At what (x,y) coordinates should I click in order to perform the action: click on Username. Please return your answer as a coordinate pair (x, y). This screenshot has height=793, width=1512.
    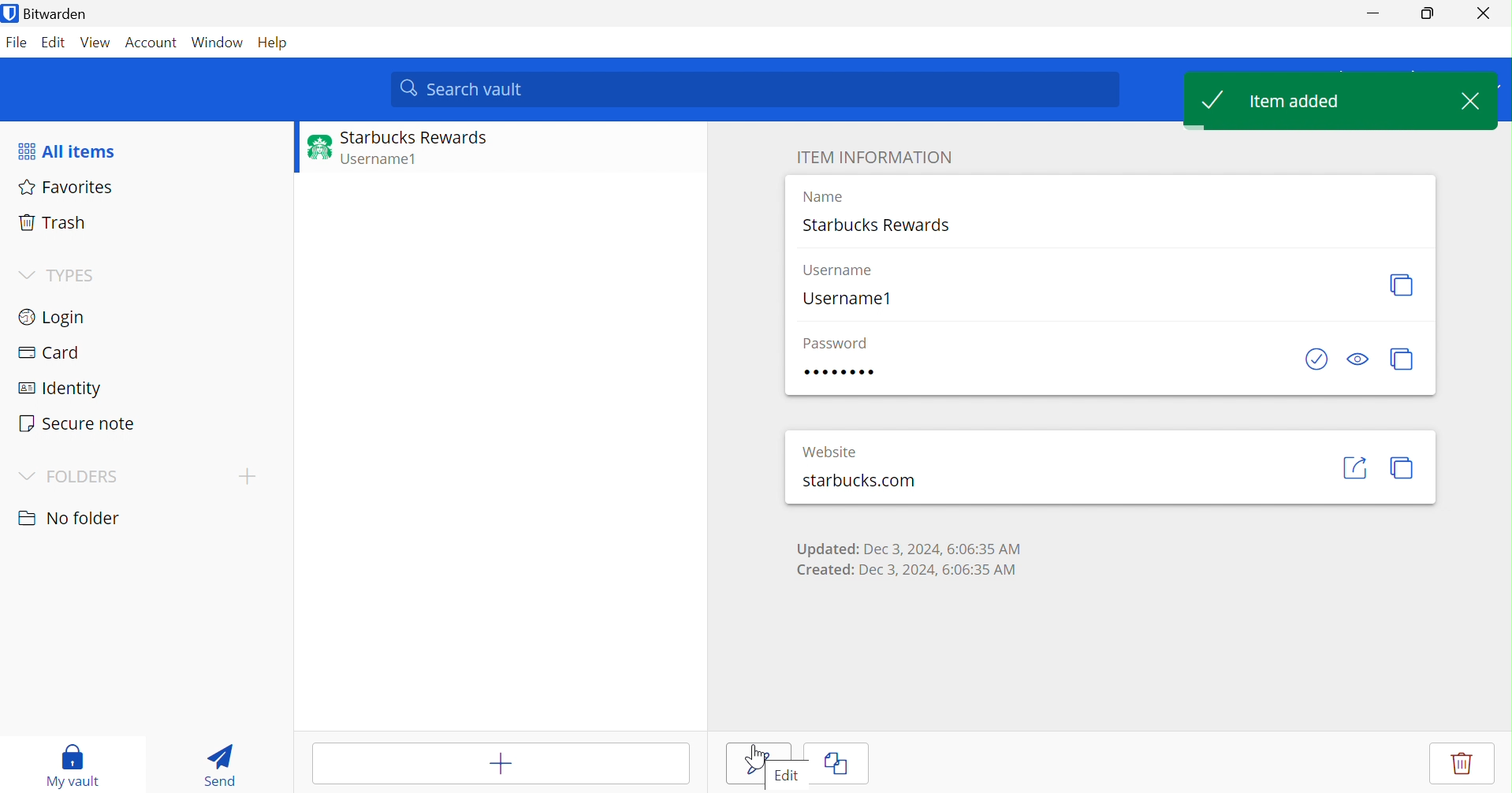
    Looking at the image, I should click on (842, 271).